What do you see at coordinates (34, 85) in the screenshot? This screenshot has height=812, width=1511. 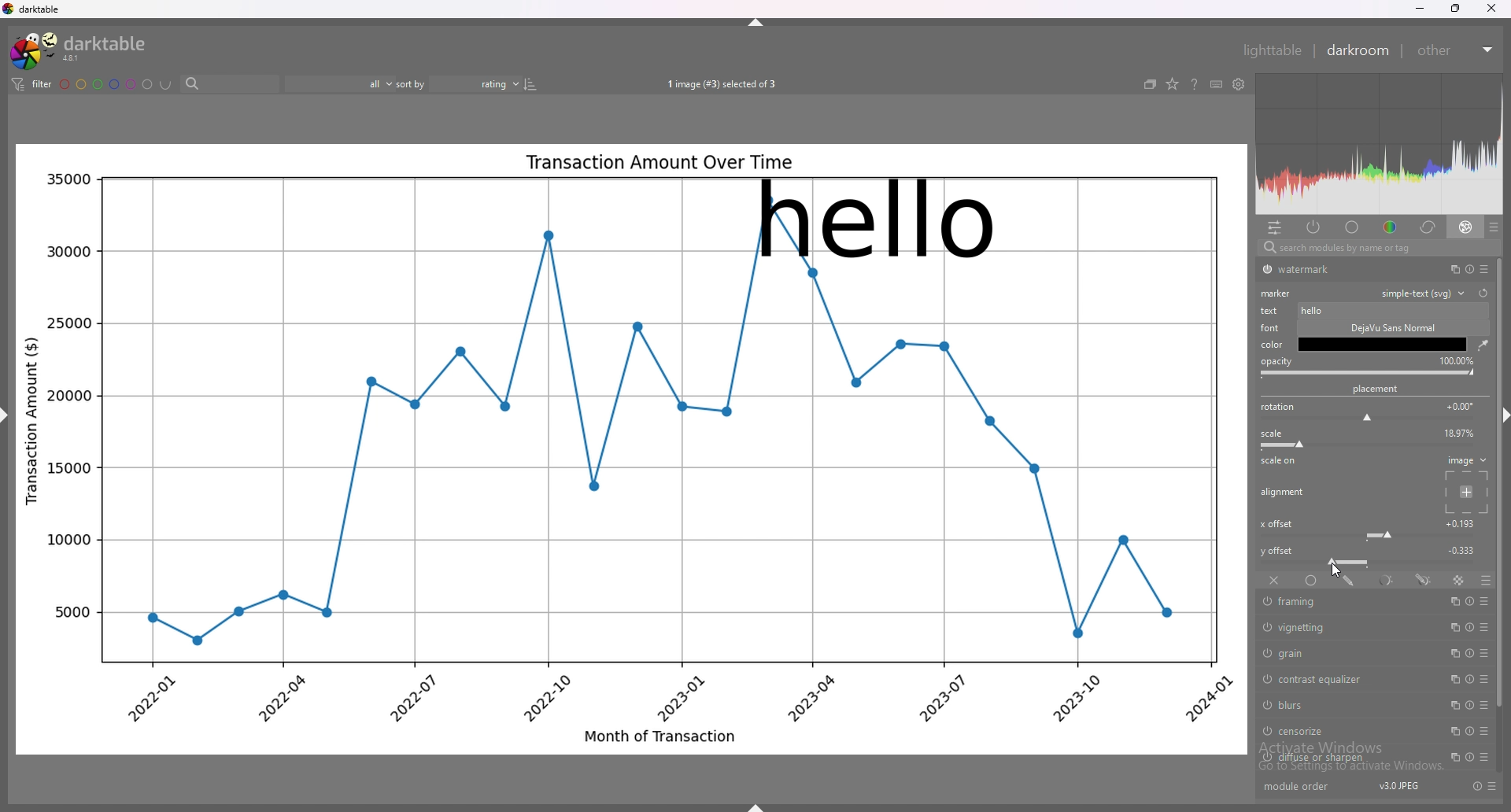 I see `filter` at bounding box center [34, 85].